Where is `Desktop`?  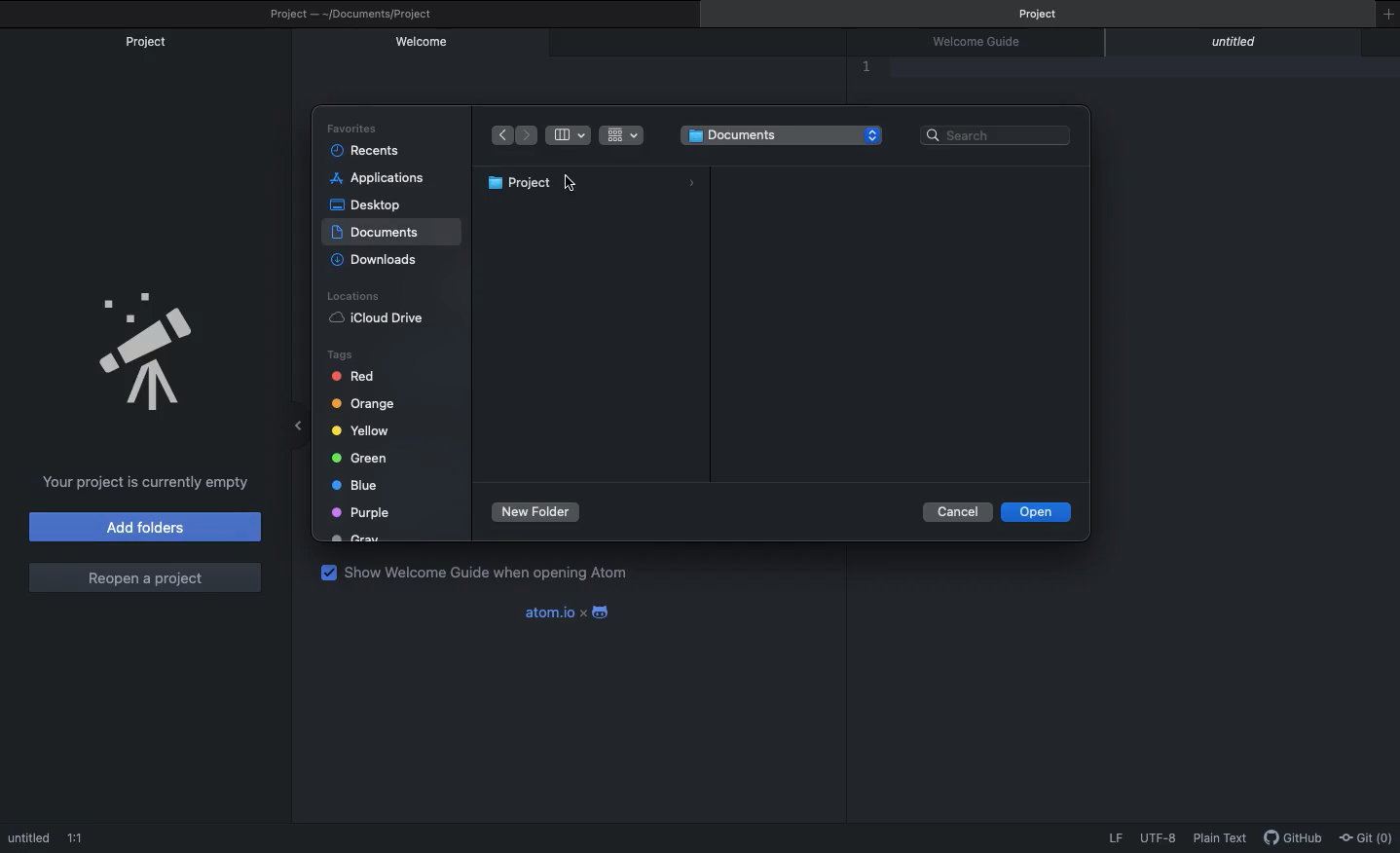
Desktop is located at coordinates (371, 205).